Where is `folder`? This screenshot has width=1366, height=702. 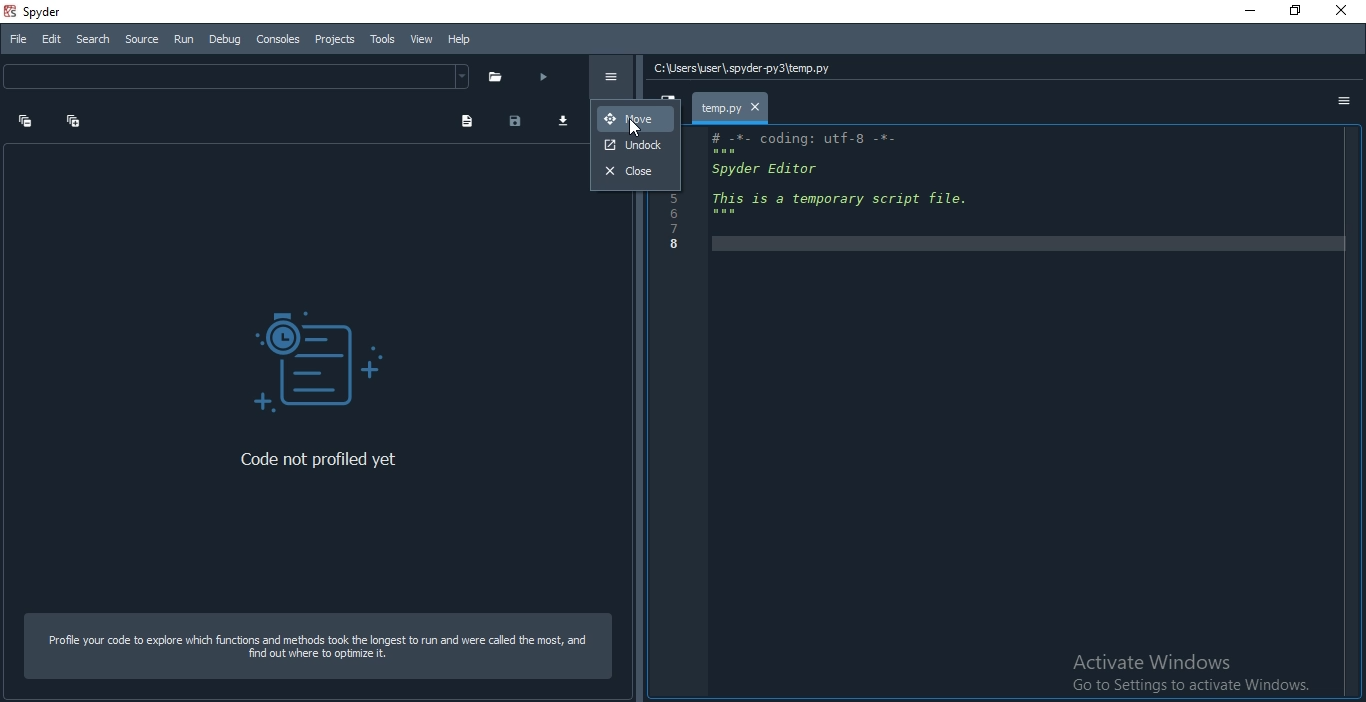 folder is located at coordinates (496, 77).